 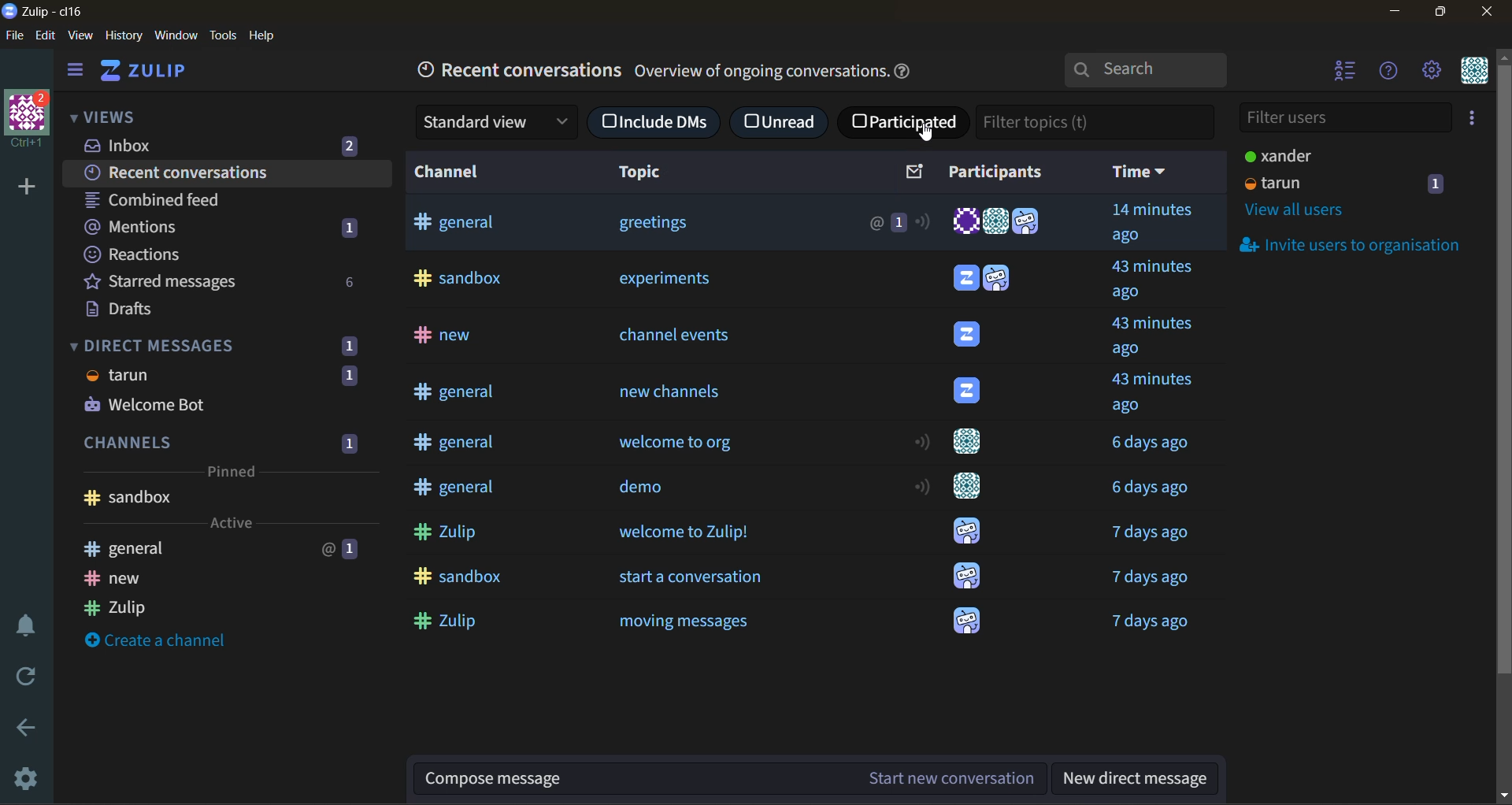 What do you see at coordinates (78, 71) in the screenshot?
I see `hide sidebar` at bounding box center [78, 71].